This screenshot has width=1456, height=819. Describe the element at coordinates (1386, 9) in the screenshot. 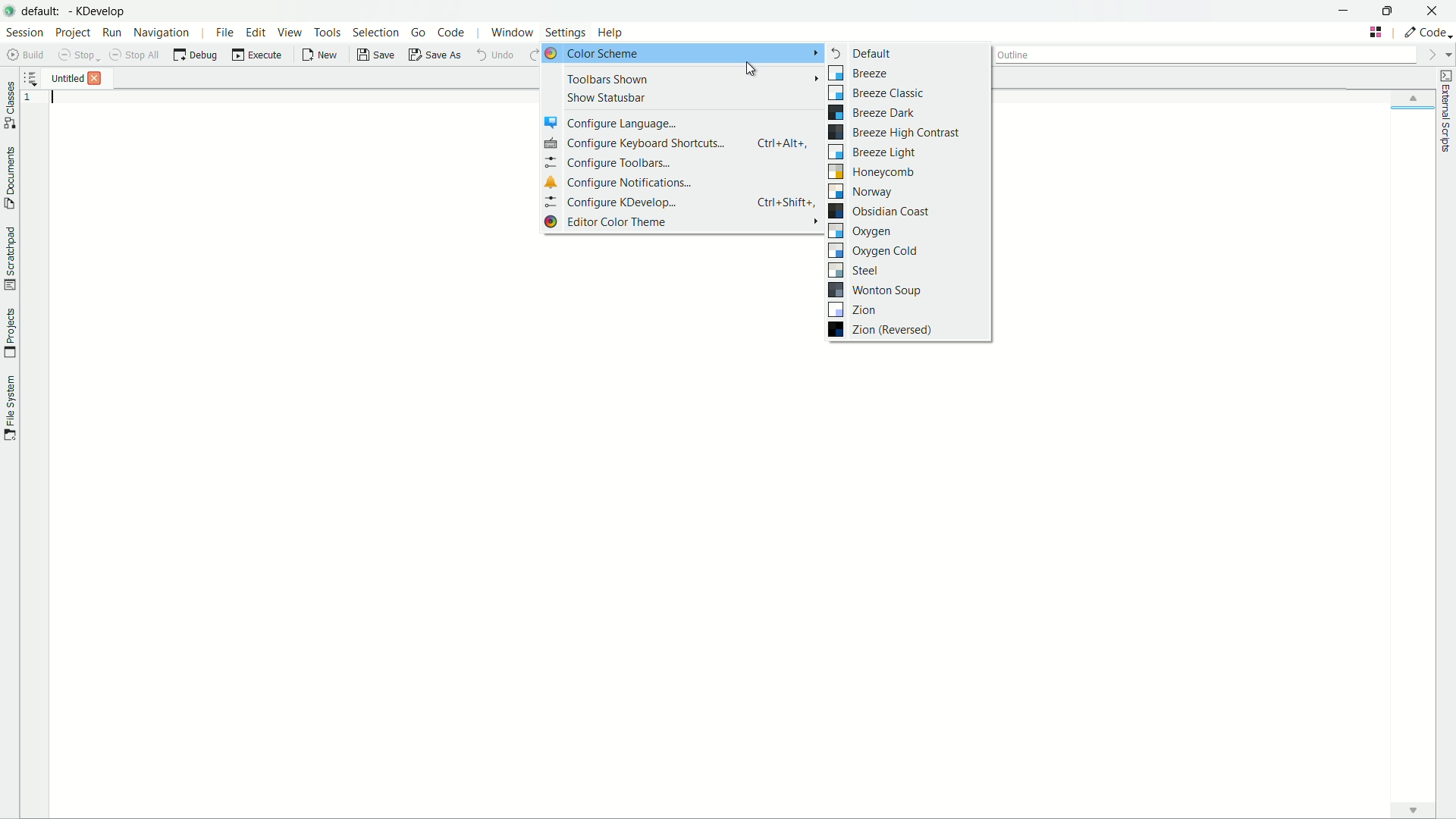

I see `maximize or restore` at that location.